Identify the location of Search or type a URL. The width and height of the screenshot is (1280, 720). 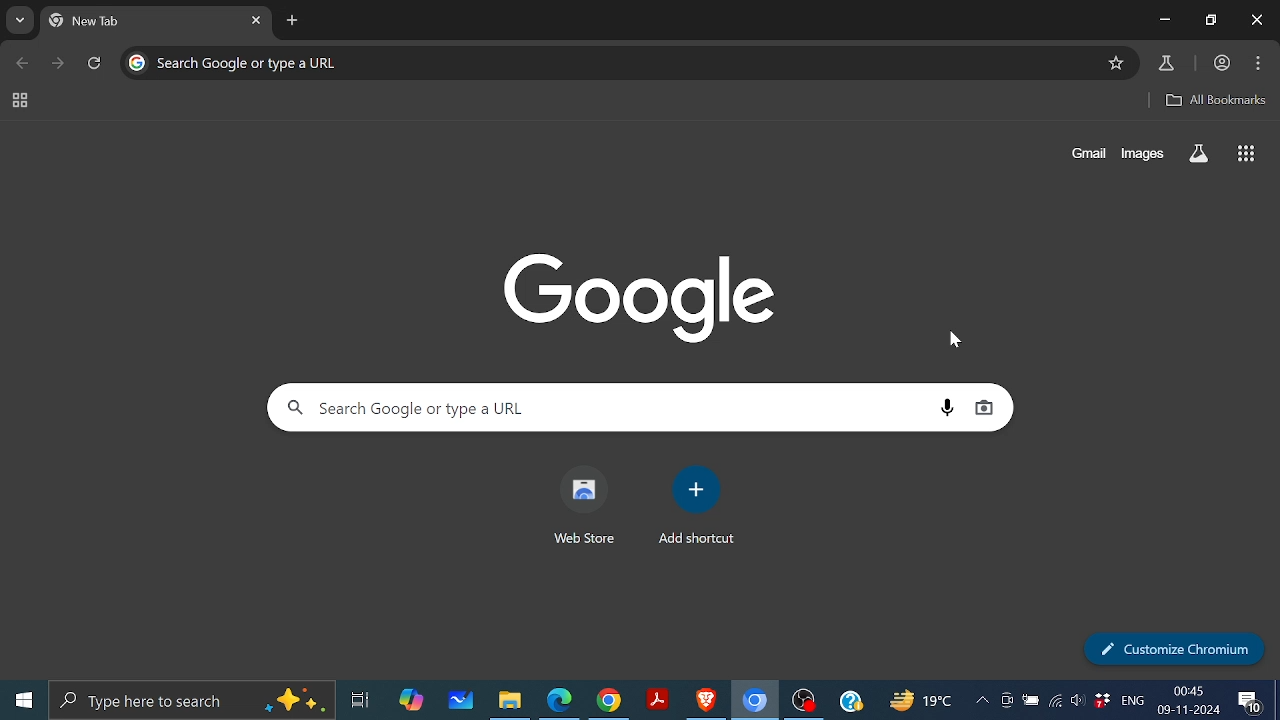
(351, 64).